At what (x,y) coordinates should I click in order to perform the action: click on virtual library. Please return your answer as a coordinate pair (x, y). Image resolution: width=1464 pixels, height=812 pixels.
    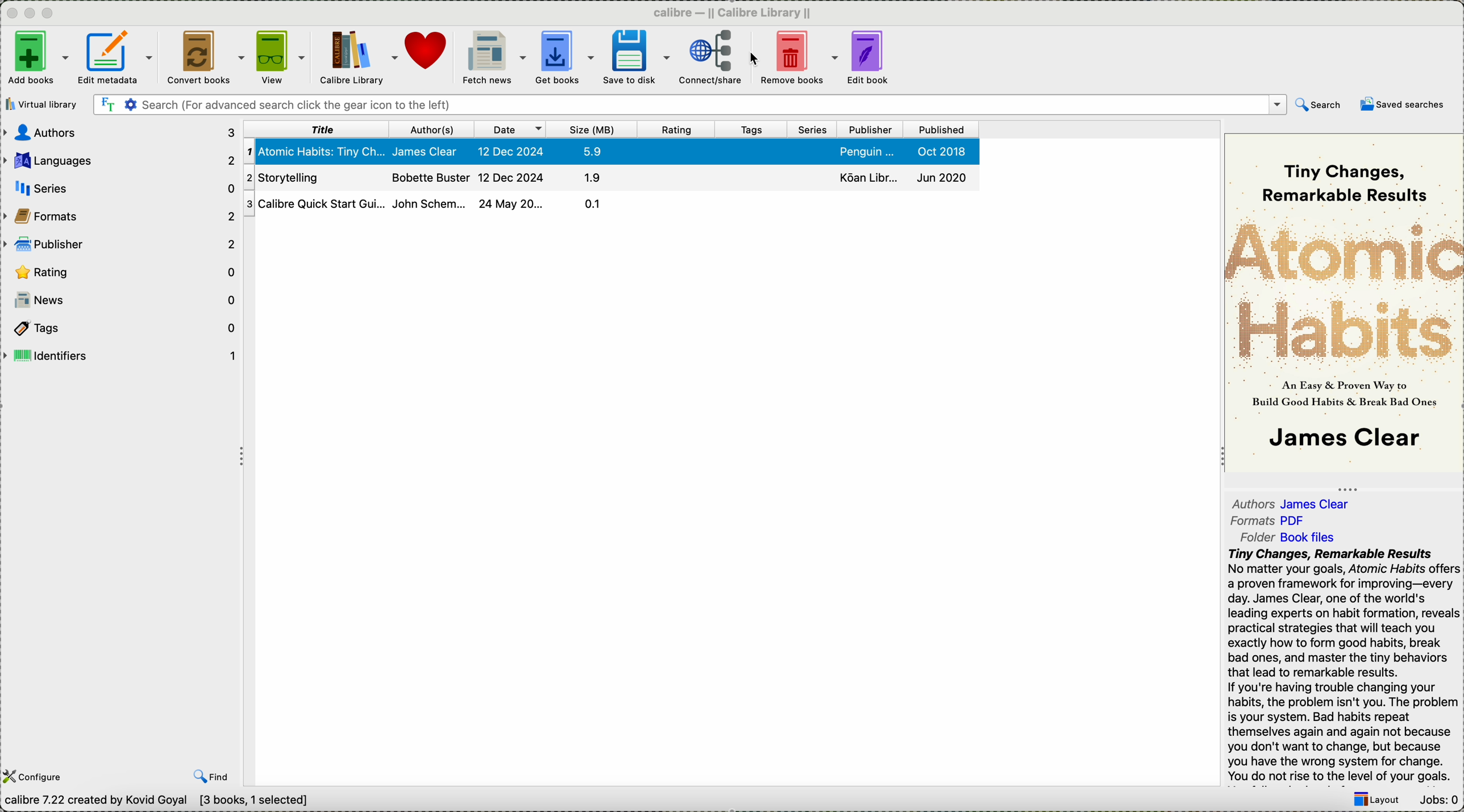
    Looking at the image, I should click on (44, 104).